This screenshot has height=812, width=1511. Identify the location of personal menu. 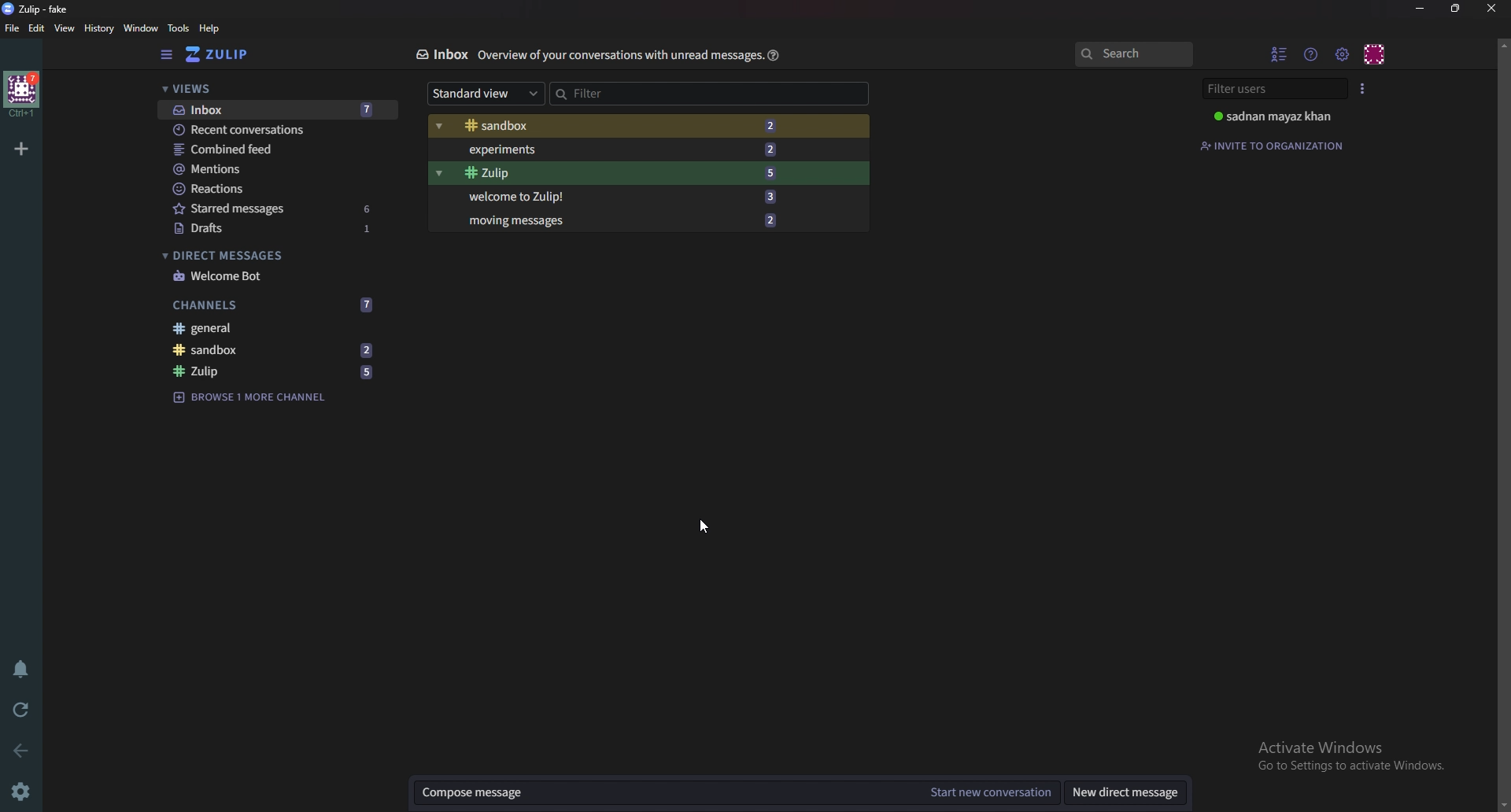
(1376, 54).